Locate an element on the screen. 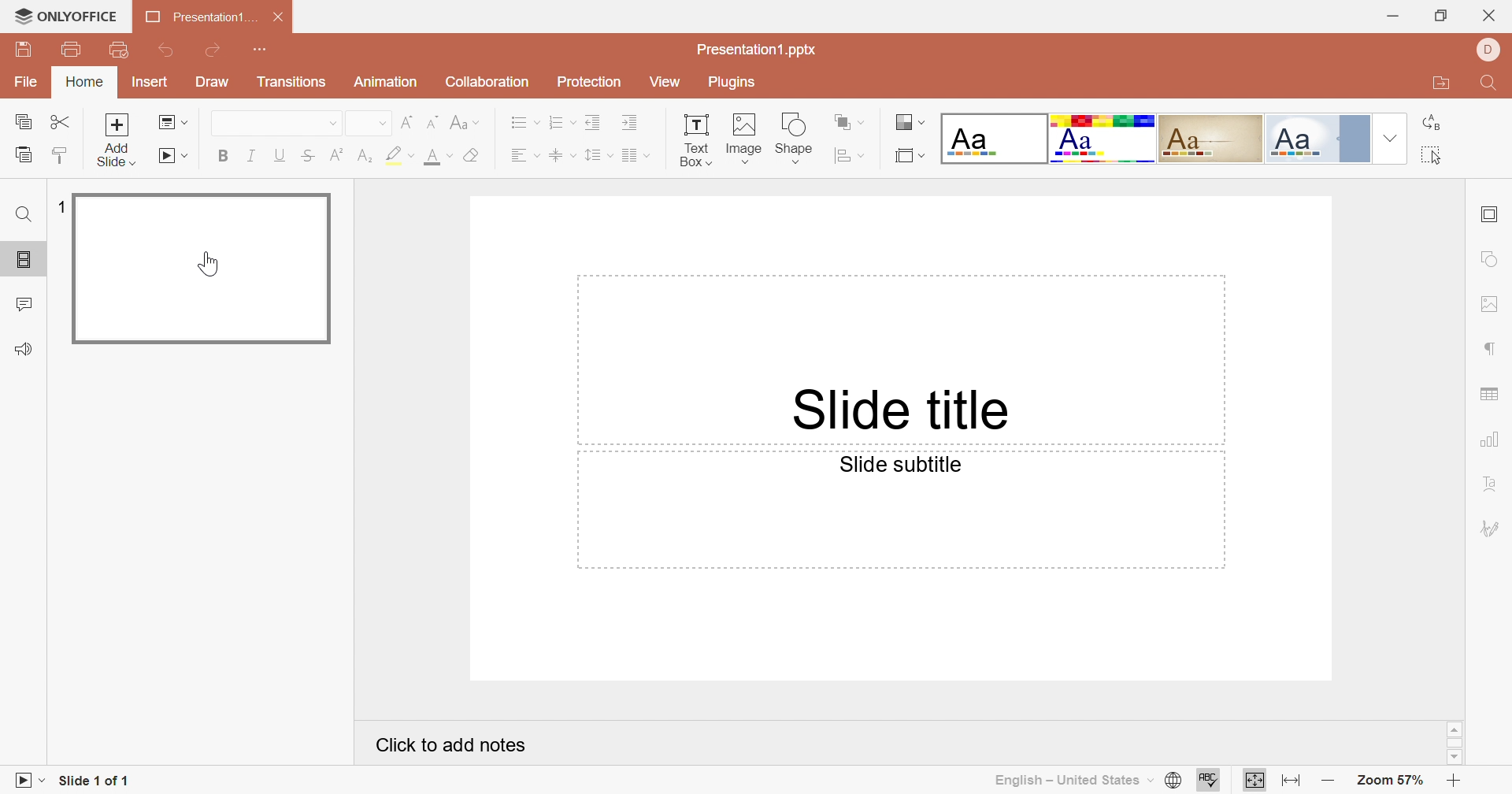  Align shape is located at coordinates (850, 154).